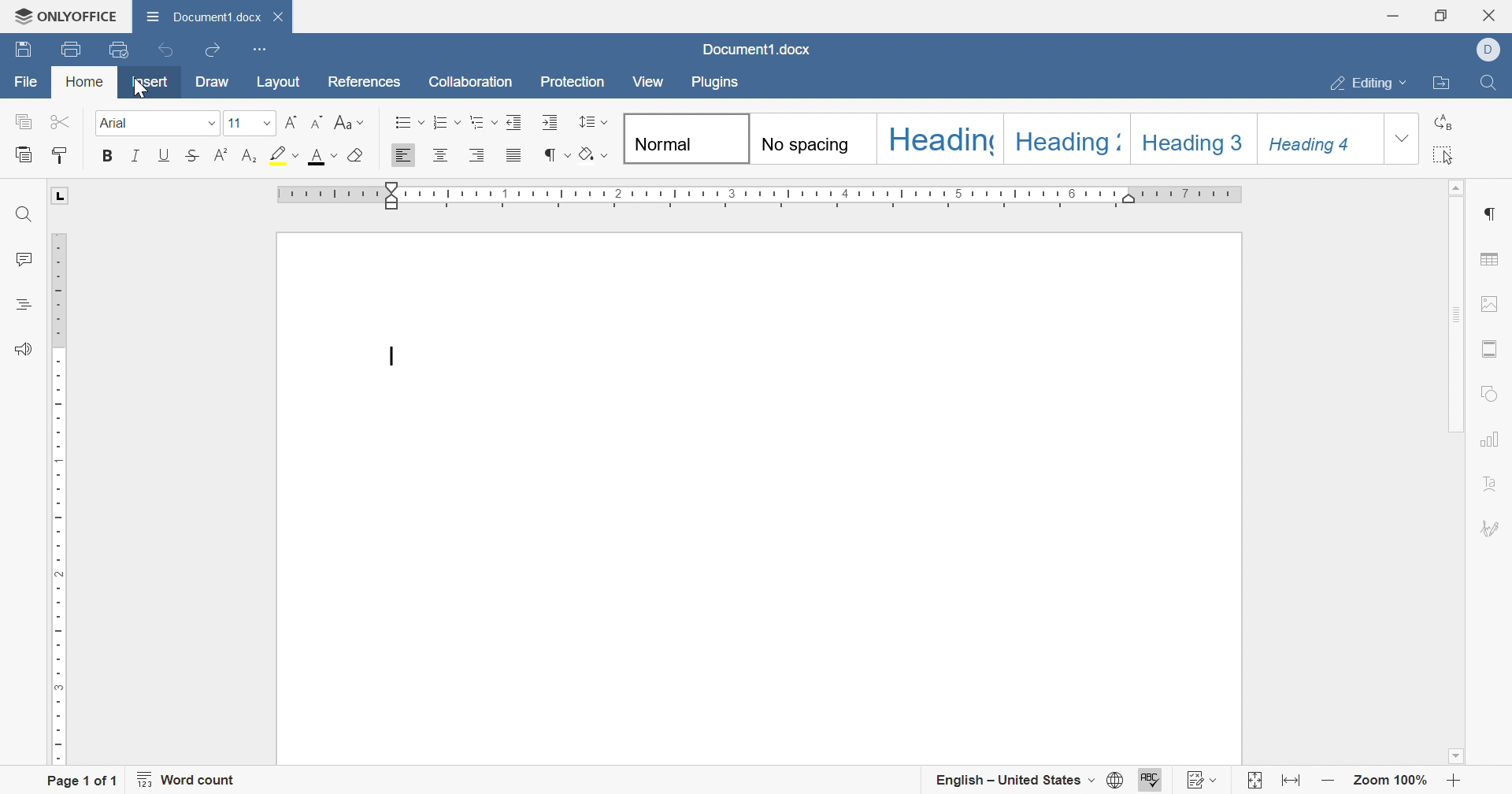  I want to click on Select all, so click(1444, 154).